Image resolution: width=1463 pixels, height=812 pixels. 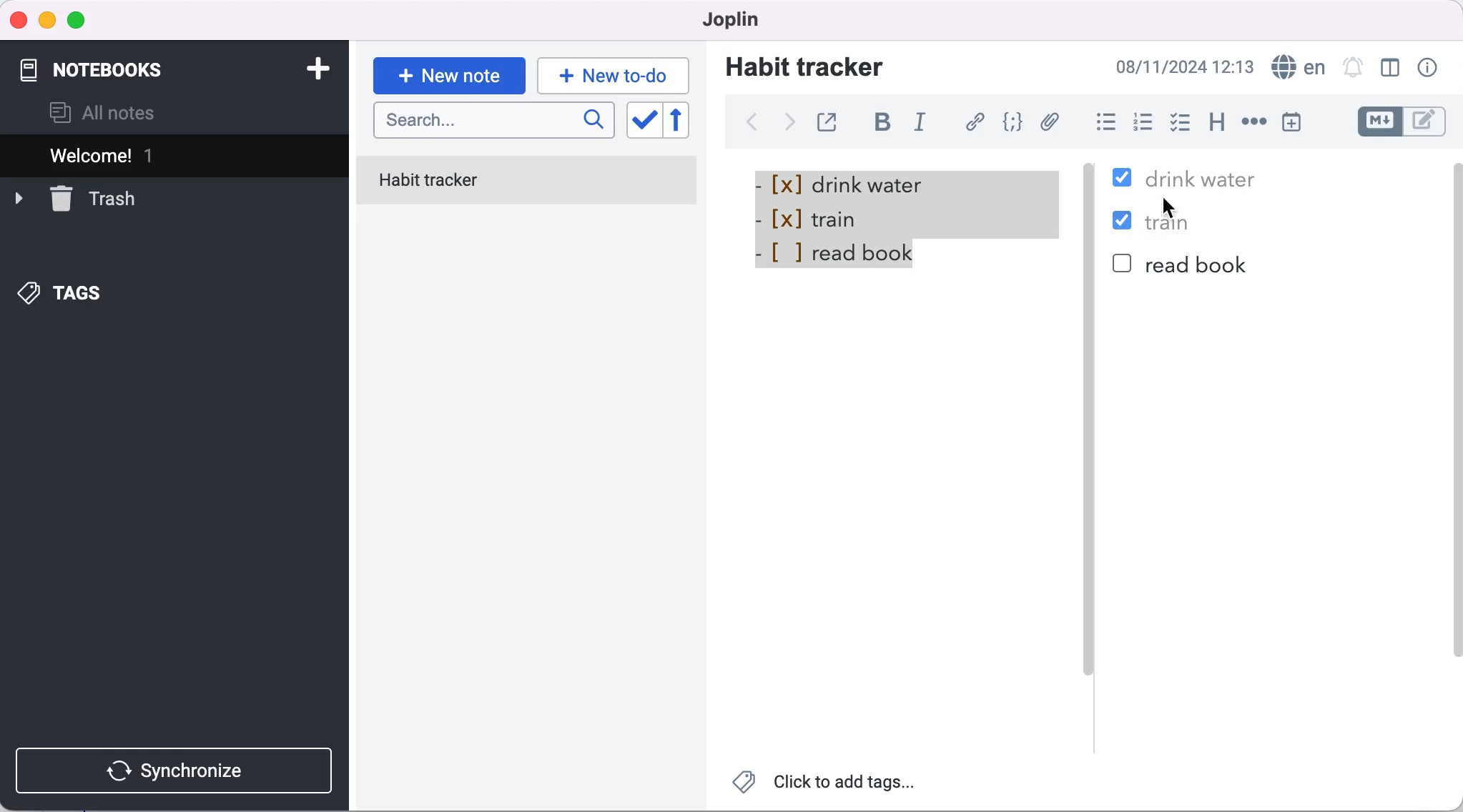 What do you see at coordinates (1090, 450) in the screenshot?
I see `vertical slider` at bounding box center [1090, 450].